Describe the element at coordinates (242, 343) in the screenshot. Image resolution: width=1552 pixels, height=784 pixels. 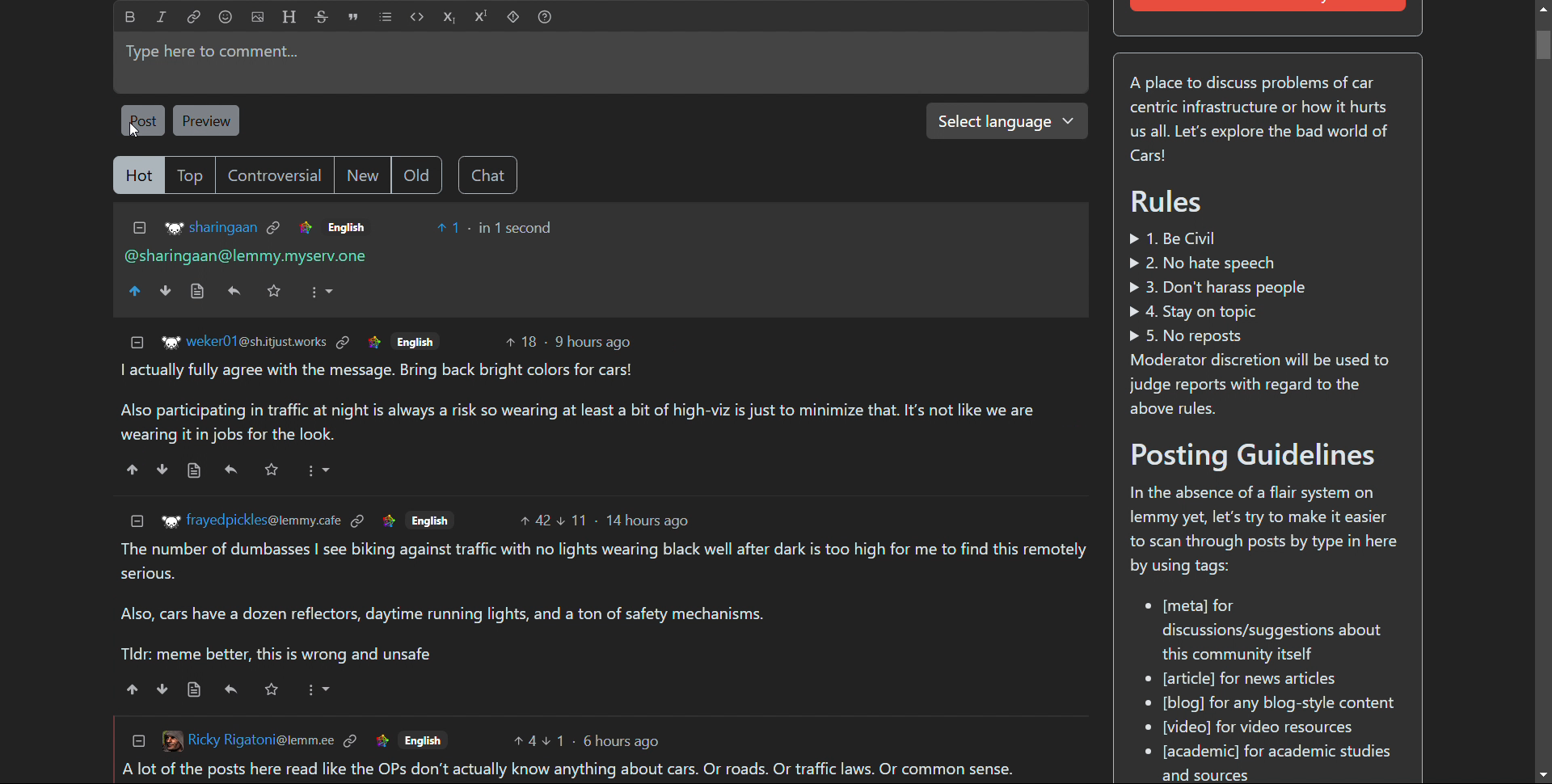
I see `# wekerO1@shitjustworks` at that location.